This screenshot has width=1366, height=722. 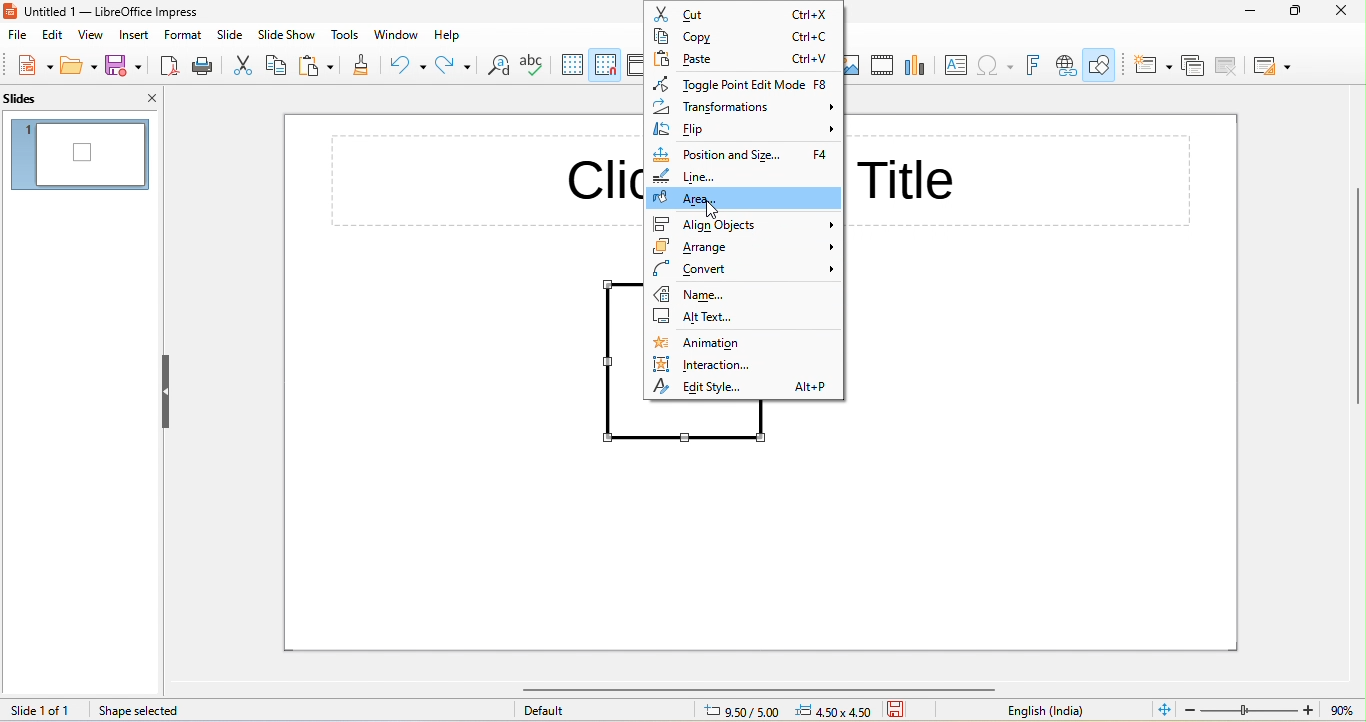 I want to click on edit, so click(x=53, y=35).